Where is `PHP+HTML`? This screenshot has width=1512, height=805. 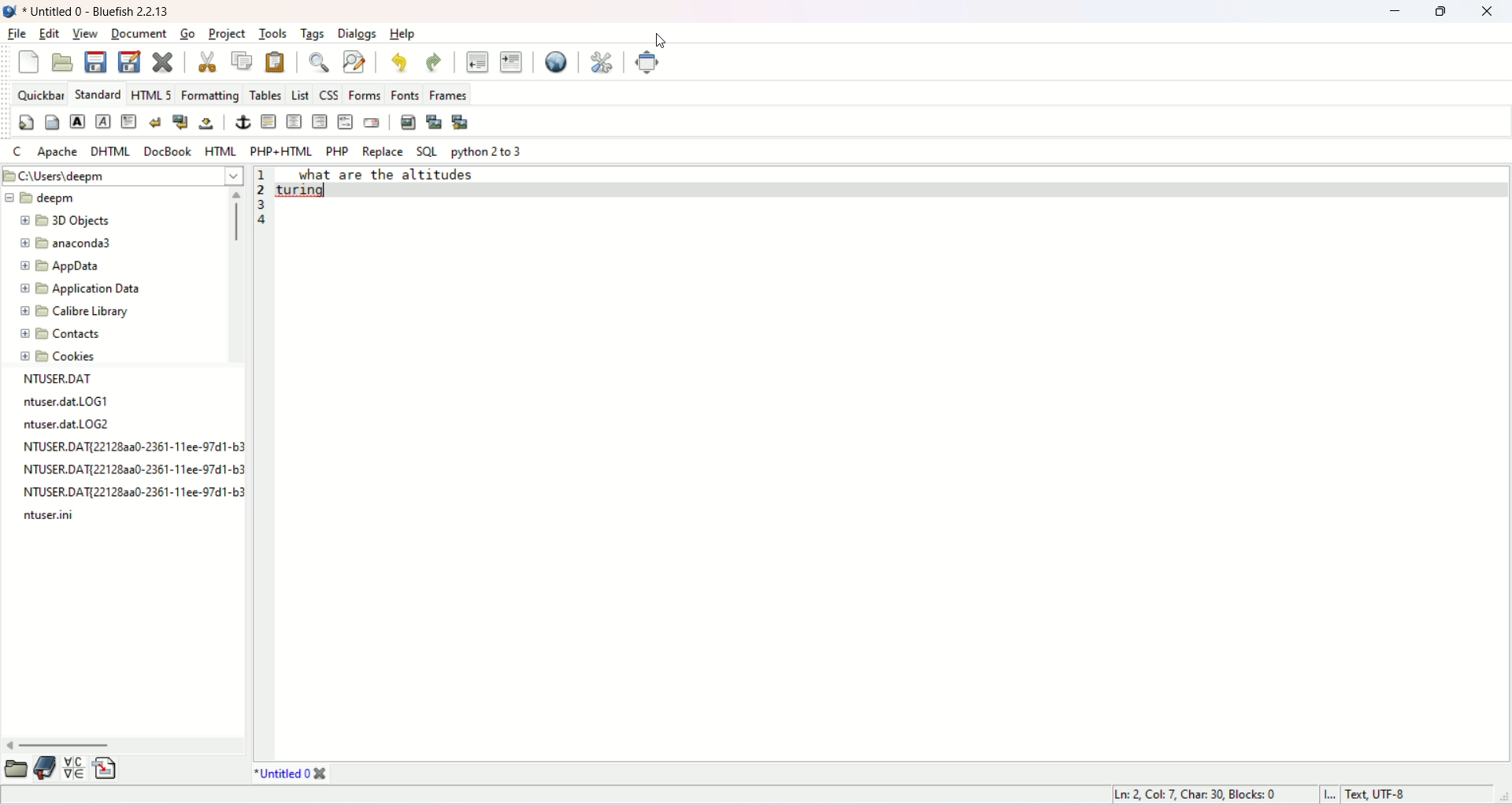
PHP+HTML is located at coordinates (281, 149).